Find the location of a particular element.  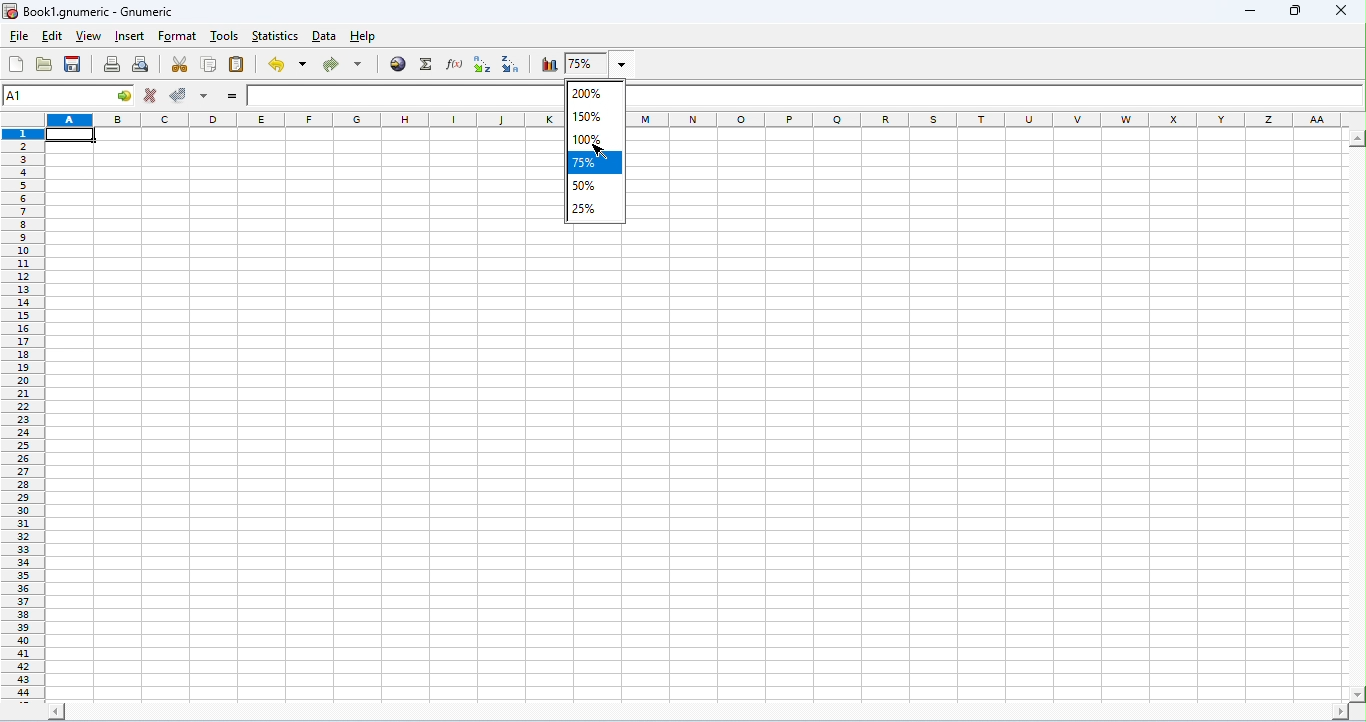

150% is located at coordinates (593, 117).